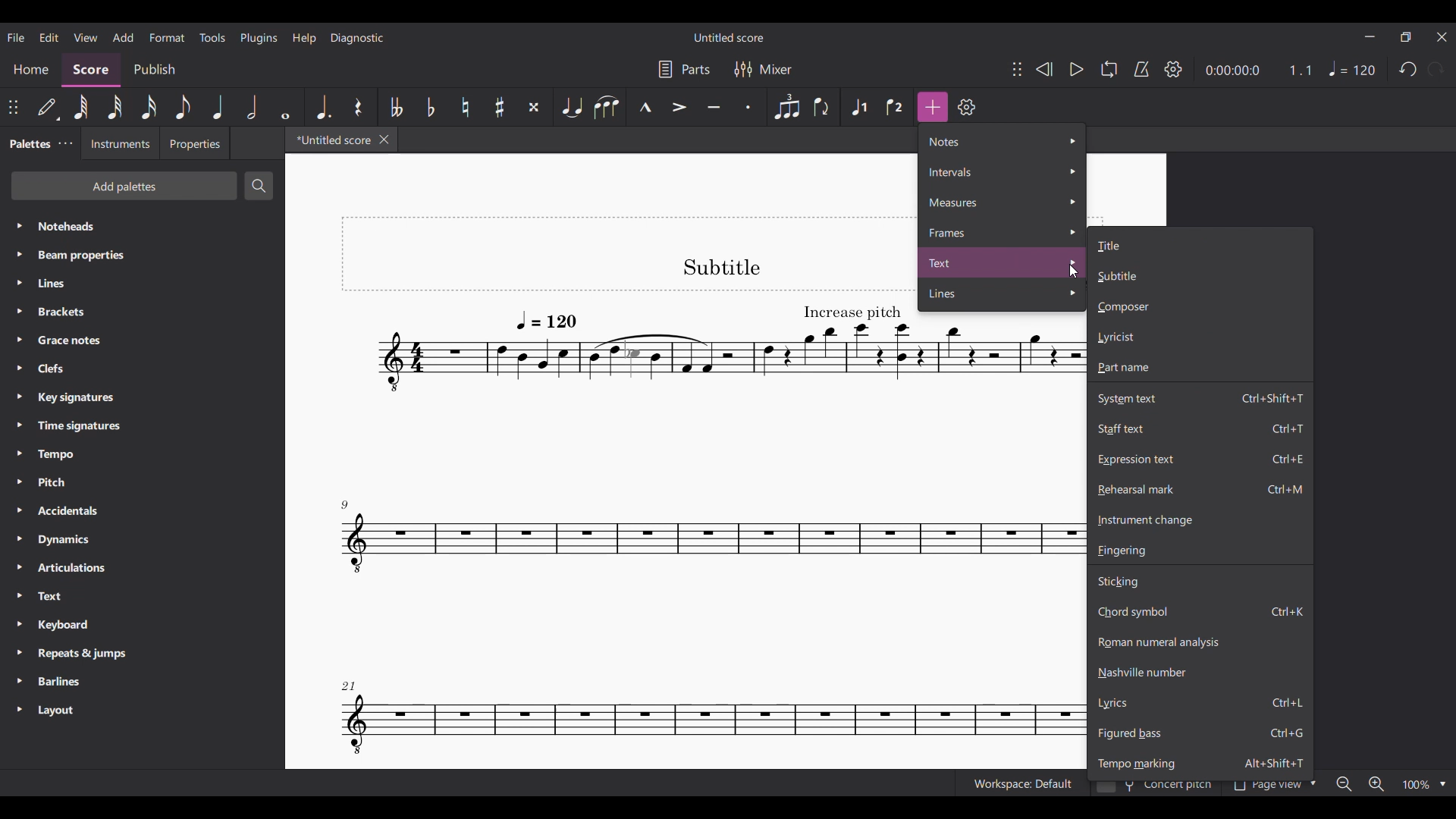  Describe the element at coordinates (359, 107) in the screenshot. I see `Rest` at that location.